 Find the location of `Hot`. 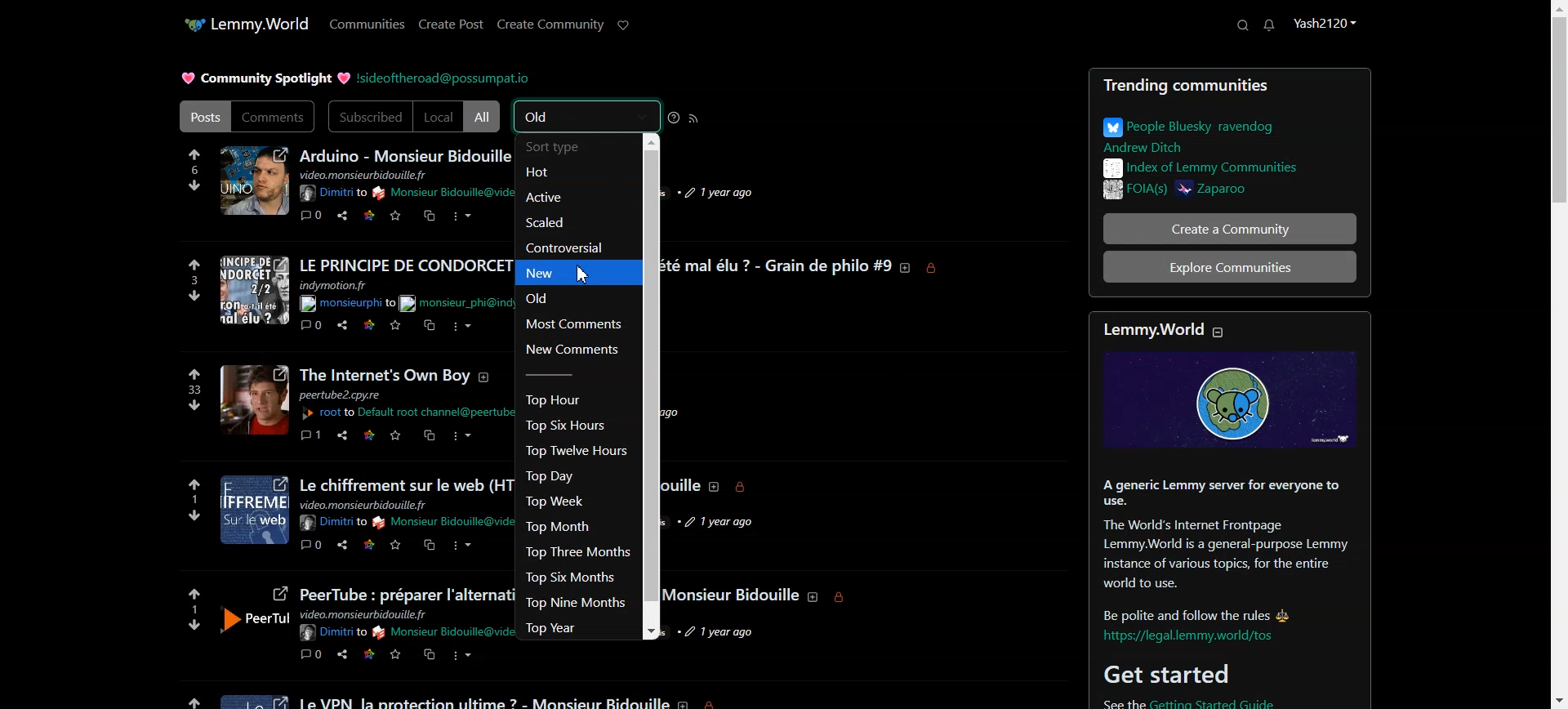

Hot is located at coordinates (563, 174).